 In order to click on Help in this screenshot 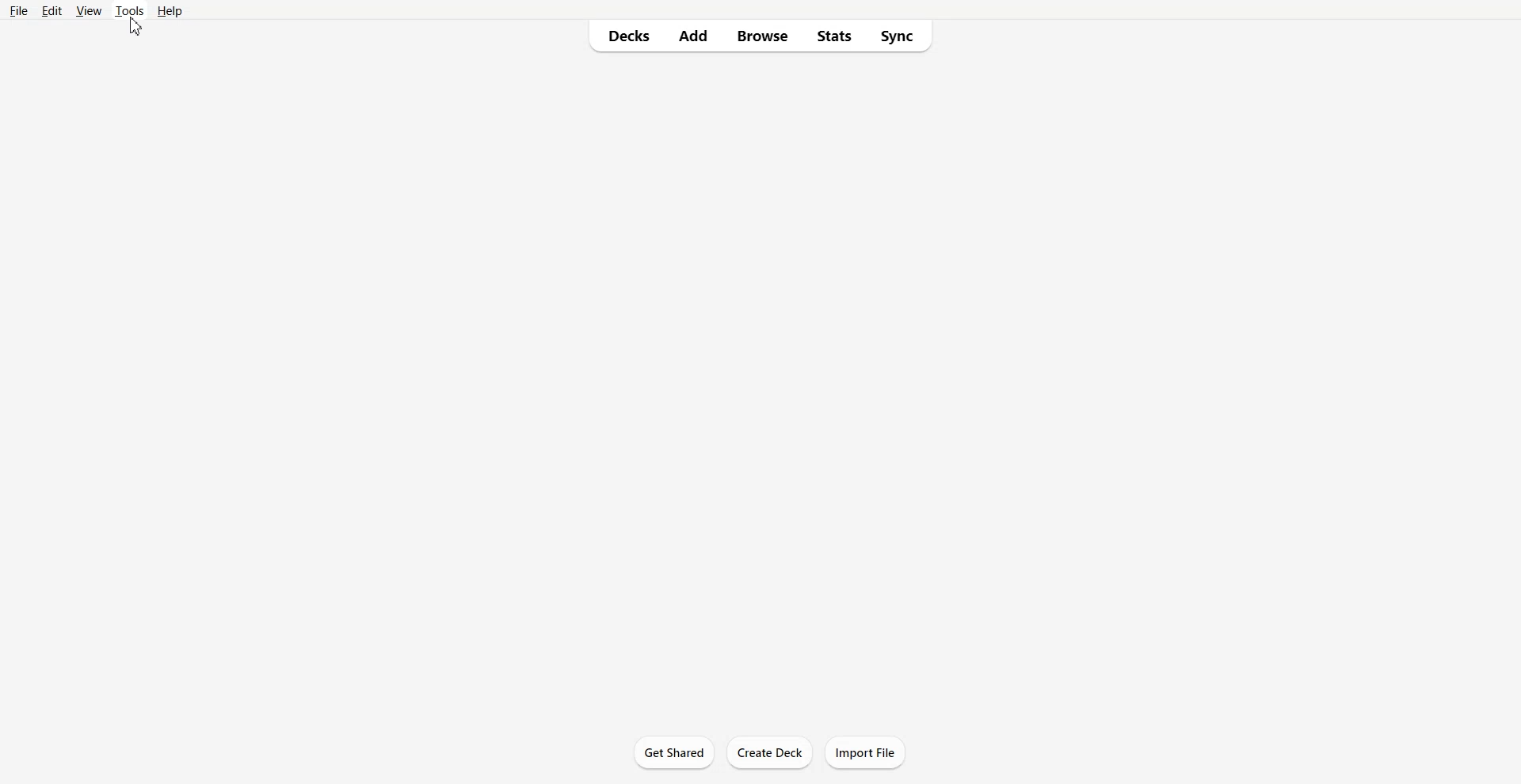, I will do `click(170, 11)`.